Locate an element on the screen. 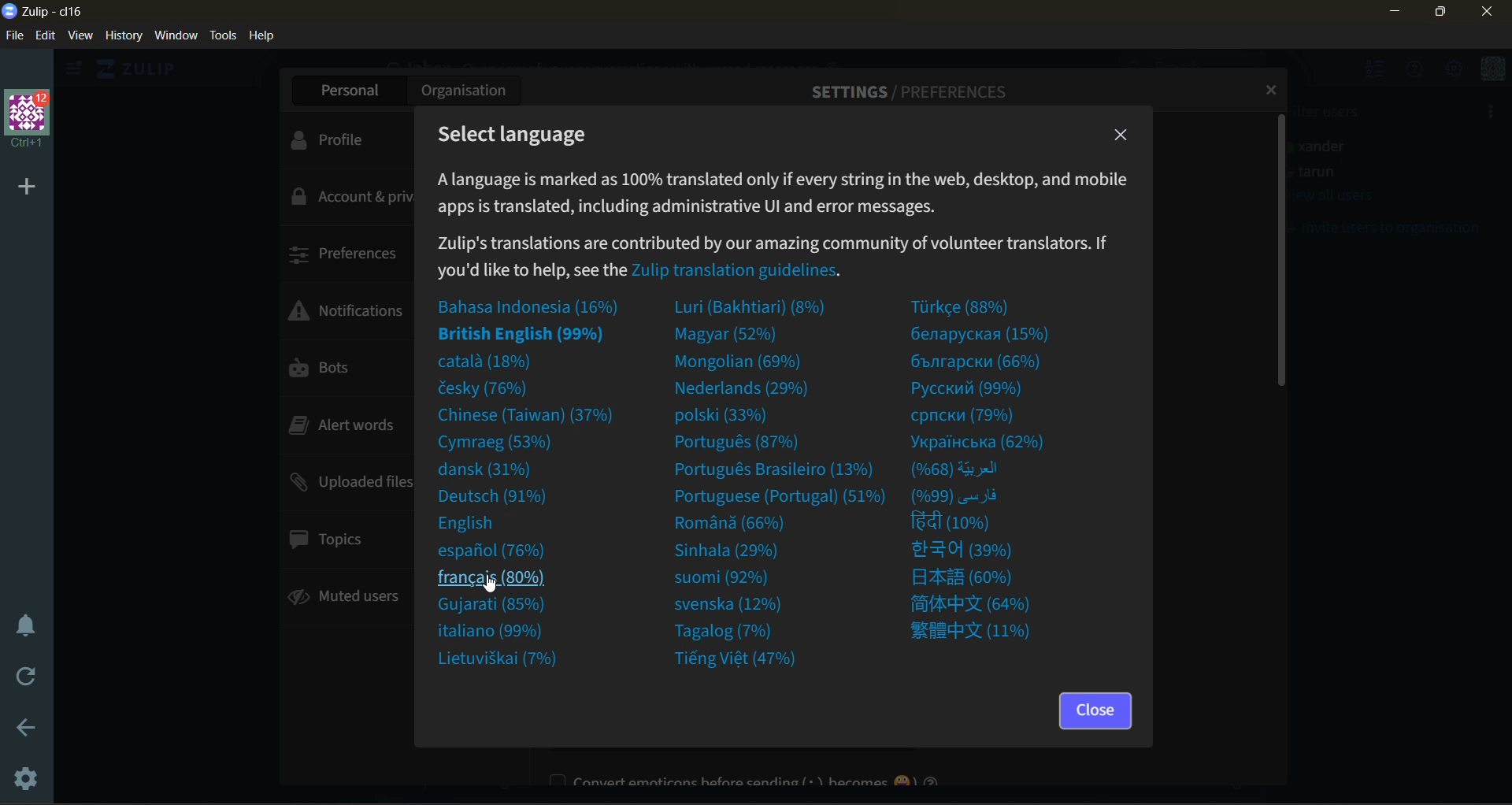 The image size is (1512, 805). enable do not disturb is located at coordinates (25, 624).